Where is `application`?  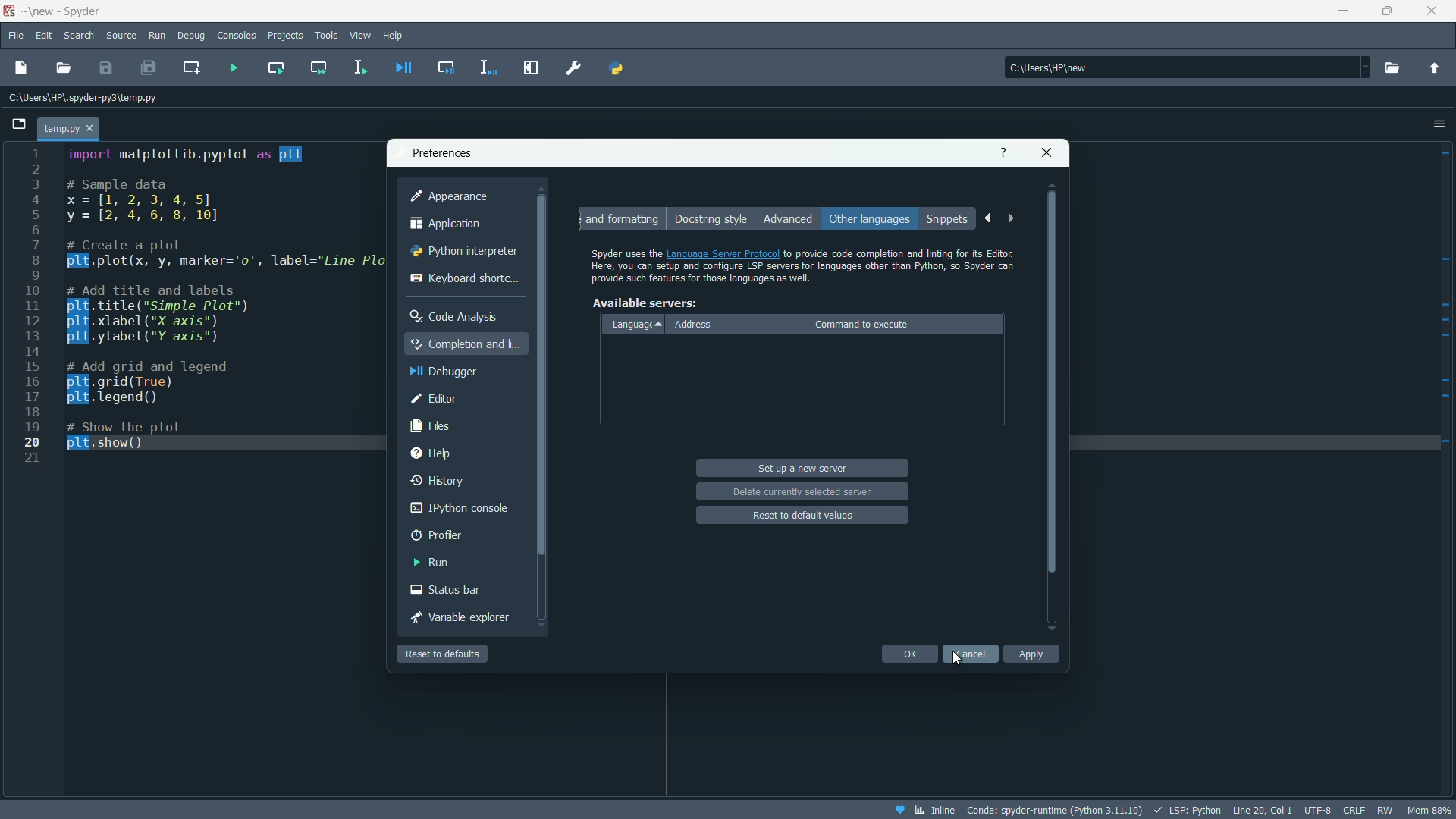 application is located at coordinates (447, 224).